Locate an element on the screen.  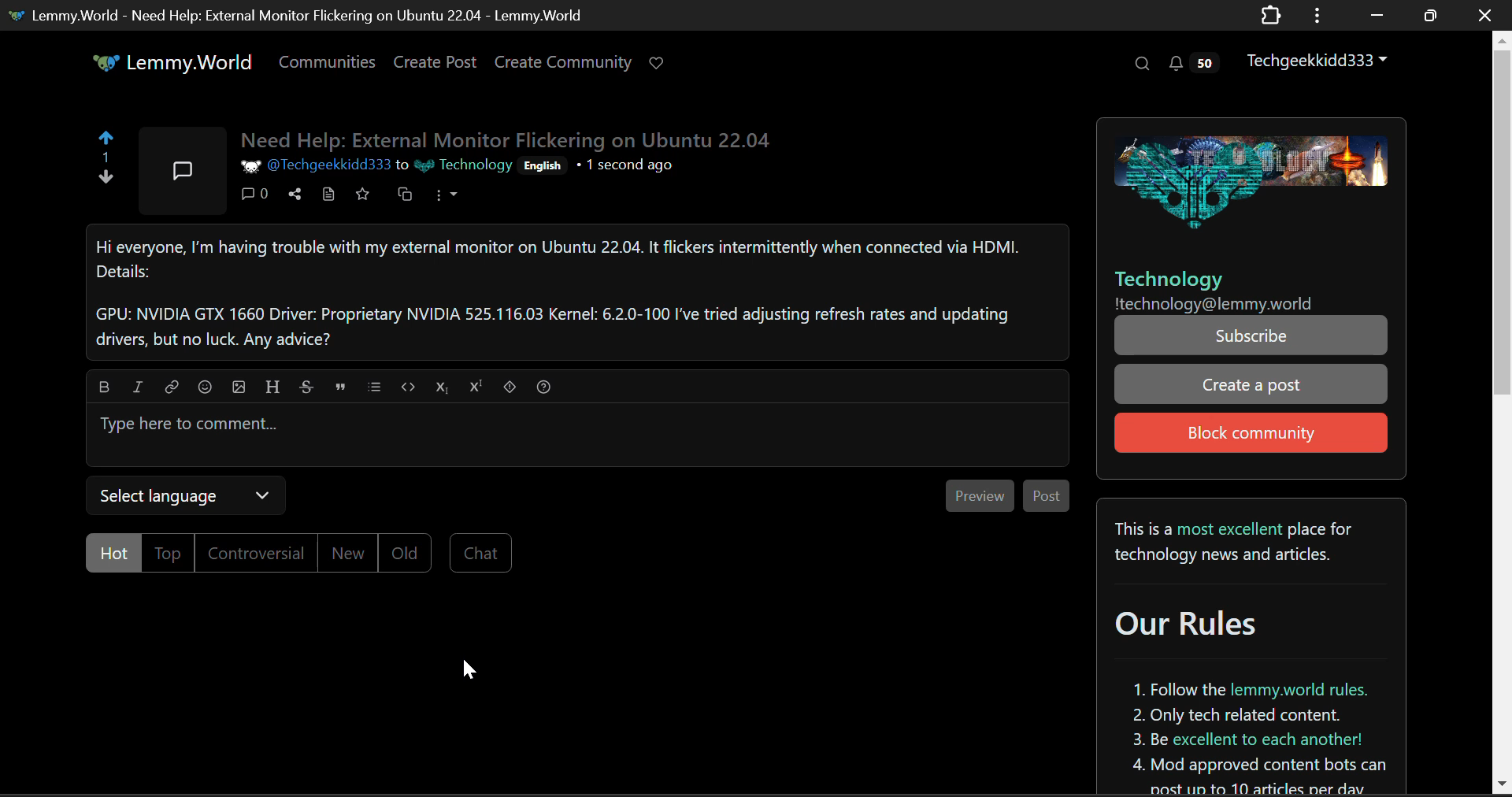
Community Rules is located at coordinates (1252, 648).